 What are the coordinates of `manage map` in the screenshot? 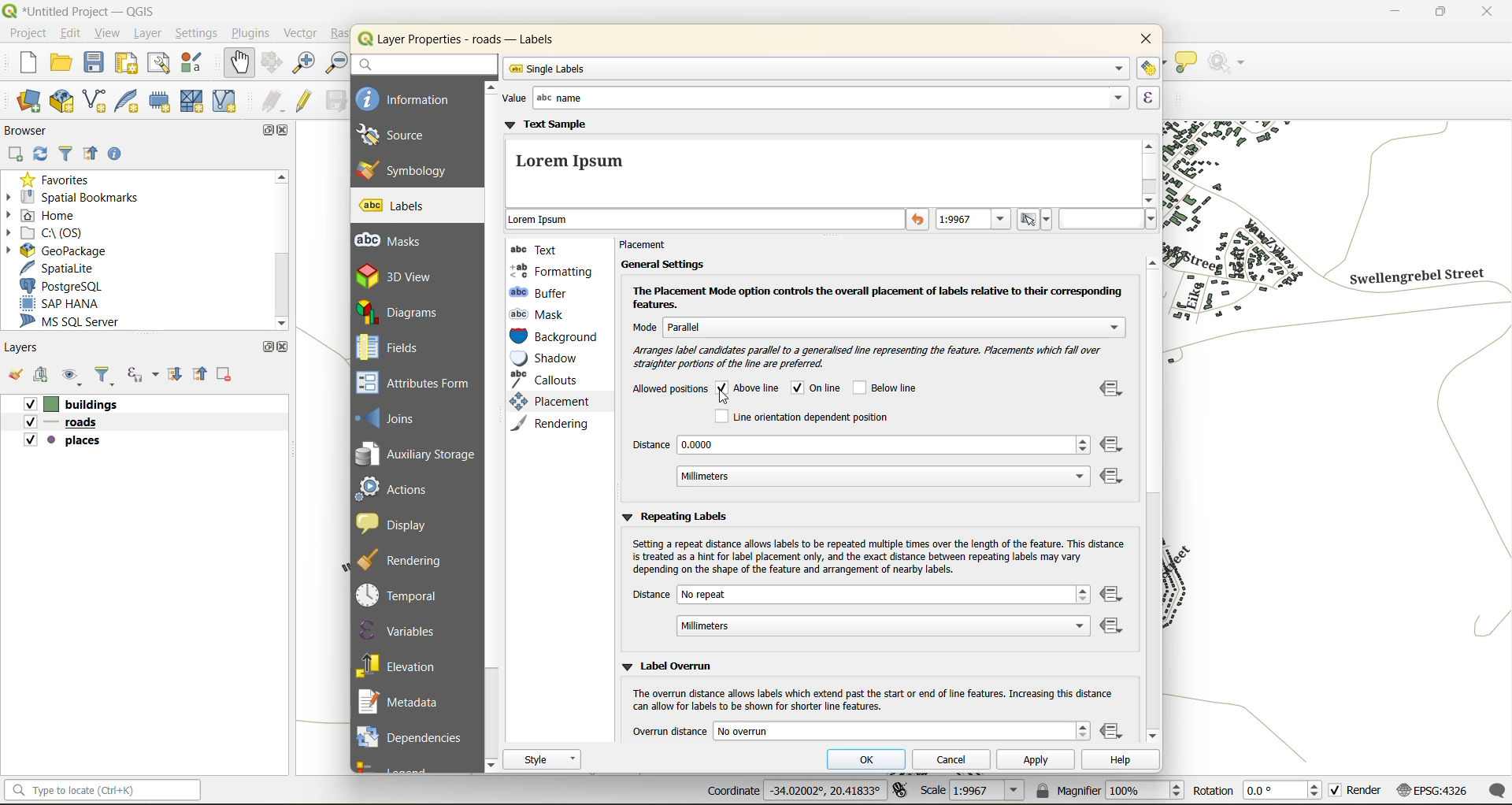 It's located at (74, 376).